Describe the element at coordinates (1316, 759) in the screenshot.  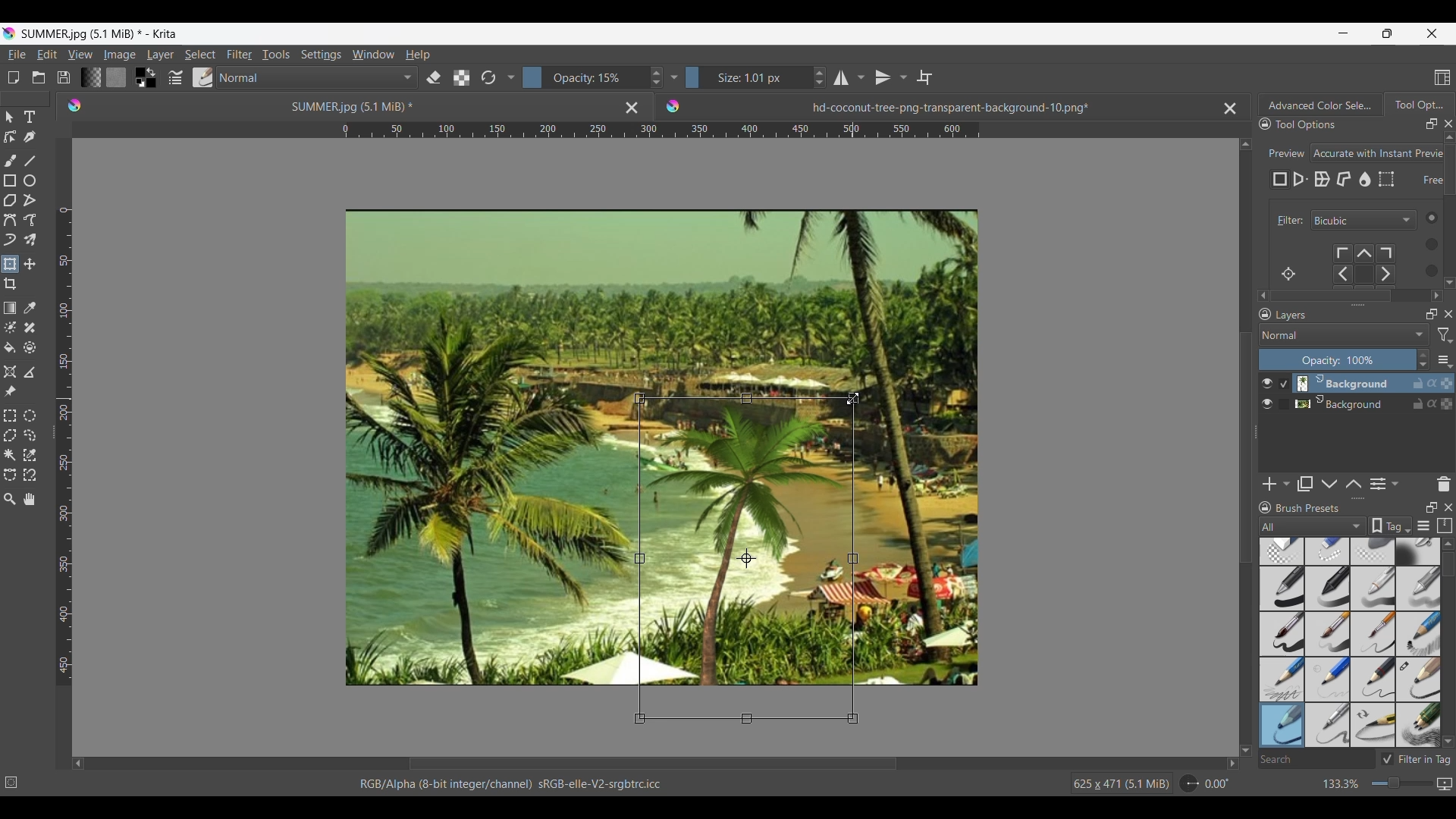
I see `Search brush manually` at that location.